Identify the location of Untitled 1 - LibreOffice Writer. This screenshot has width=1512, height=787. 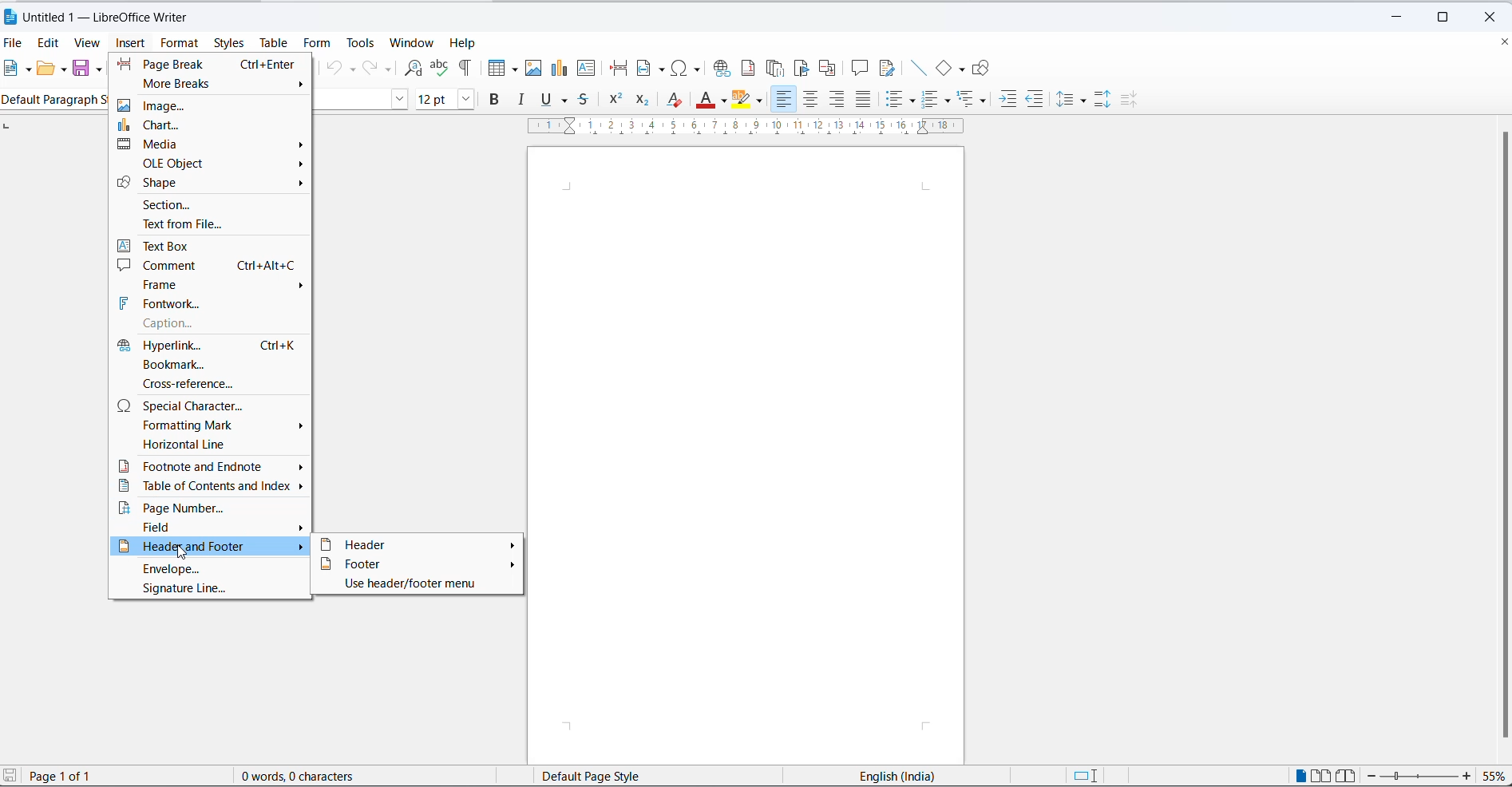
(121, 17).